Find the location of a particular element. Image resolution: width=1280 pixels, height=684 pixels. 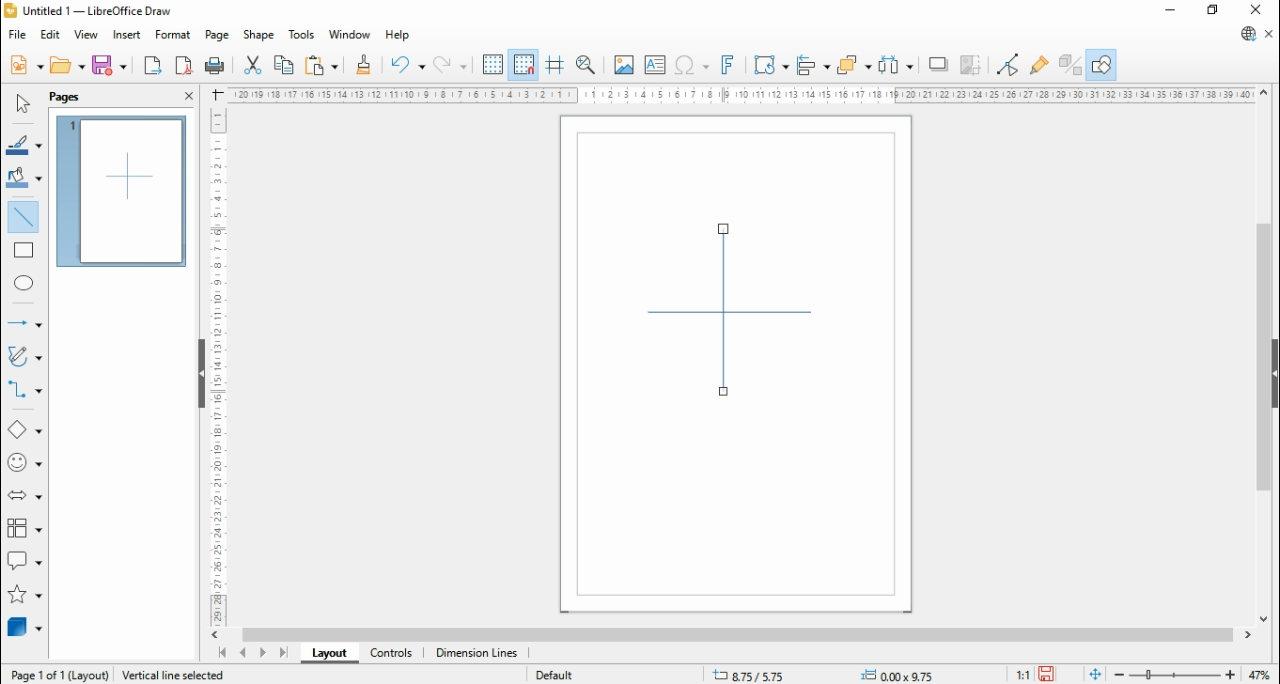

shape is located at coordinates (259, 35).